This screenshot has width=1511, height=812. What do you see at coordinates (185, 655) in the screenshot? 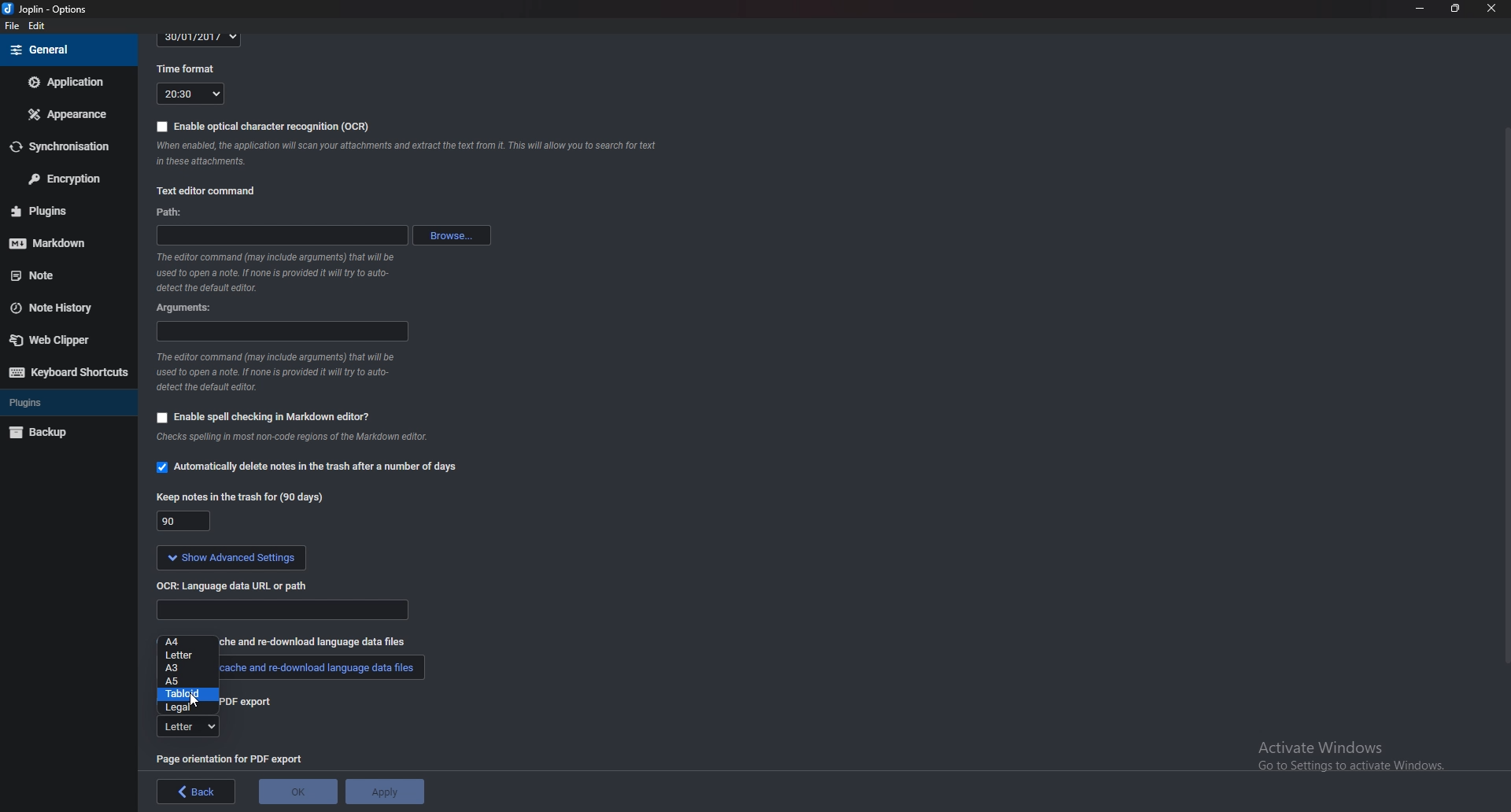
I see `Letter` at bounding box center [185, 655].